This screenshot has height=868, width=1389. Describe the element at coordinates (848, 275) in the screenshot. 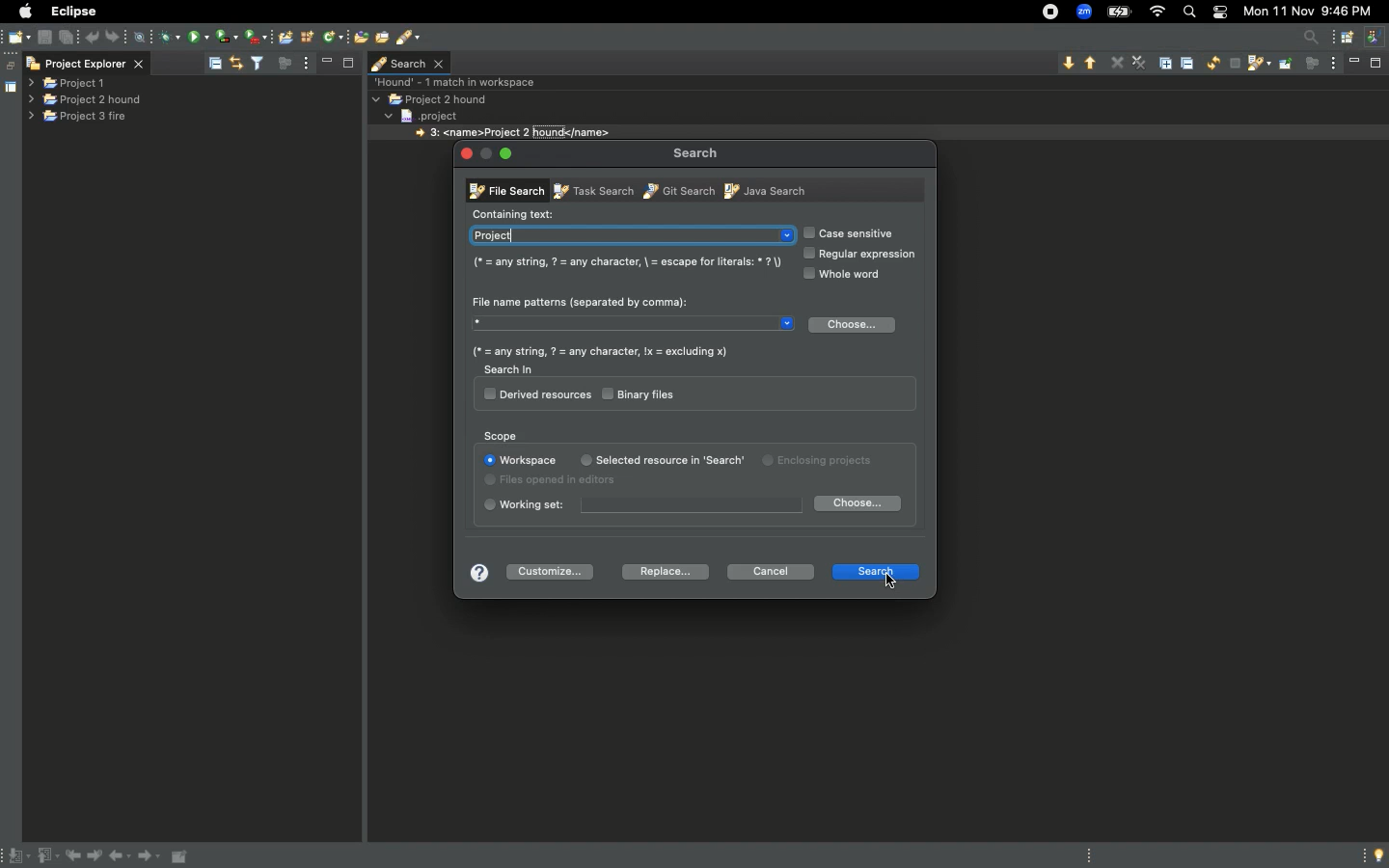

I see `Whole word` at that location.